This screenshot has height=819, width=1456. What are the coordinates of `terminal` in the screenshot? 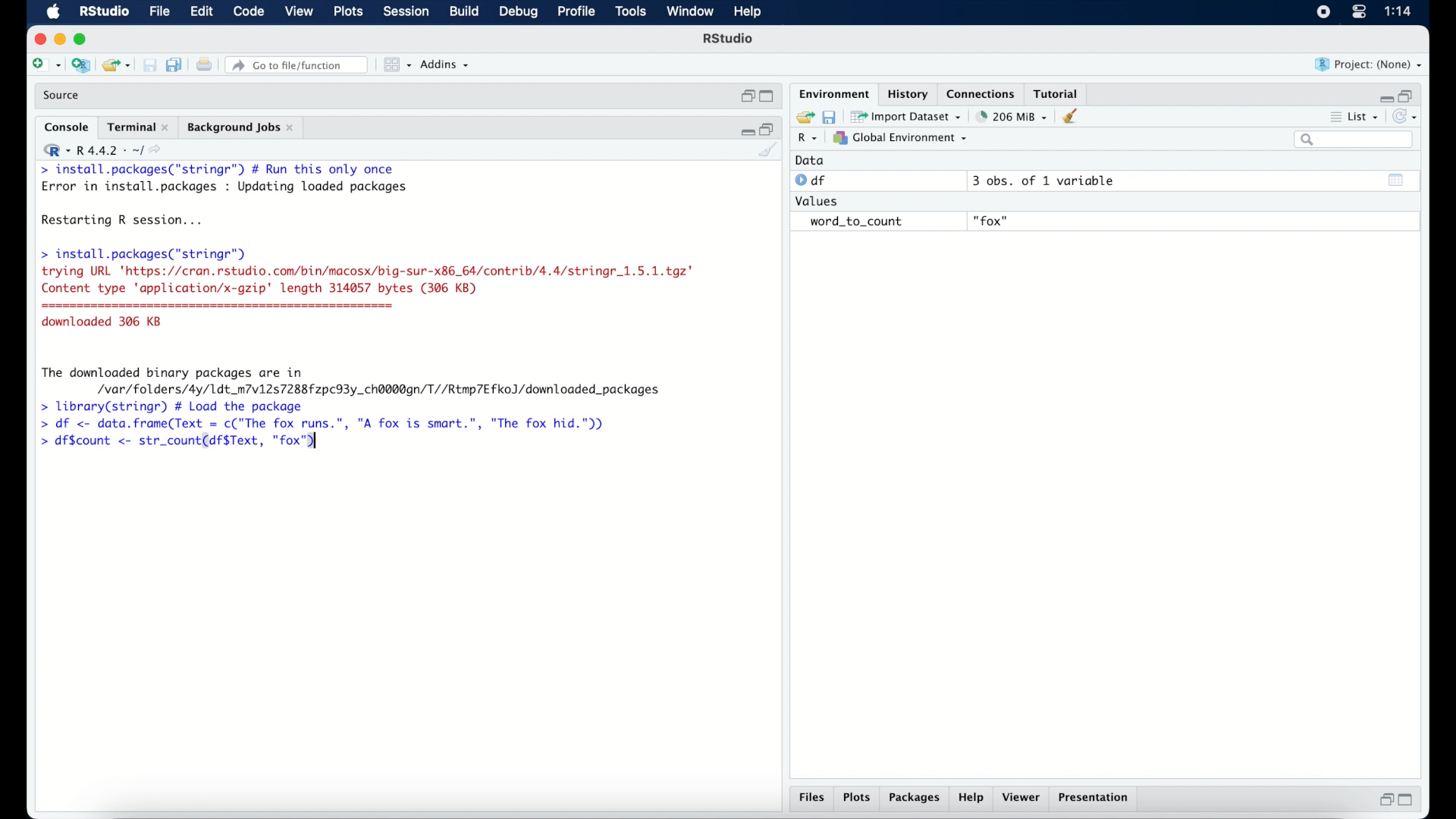 It's located at (138, 127).